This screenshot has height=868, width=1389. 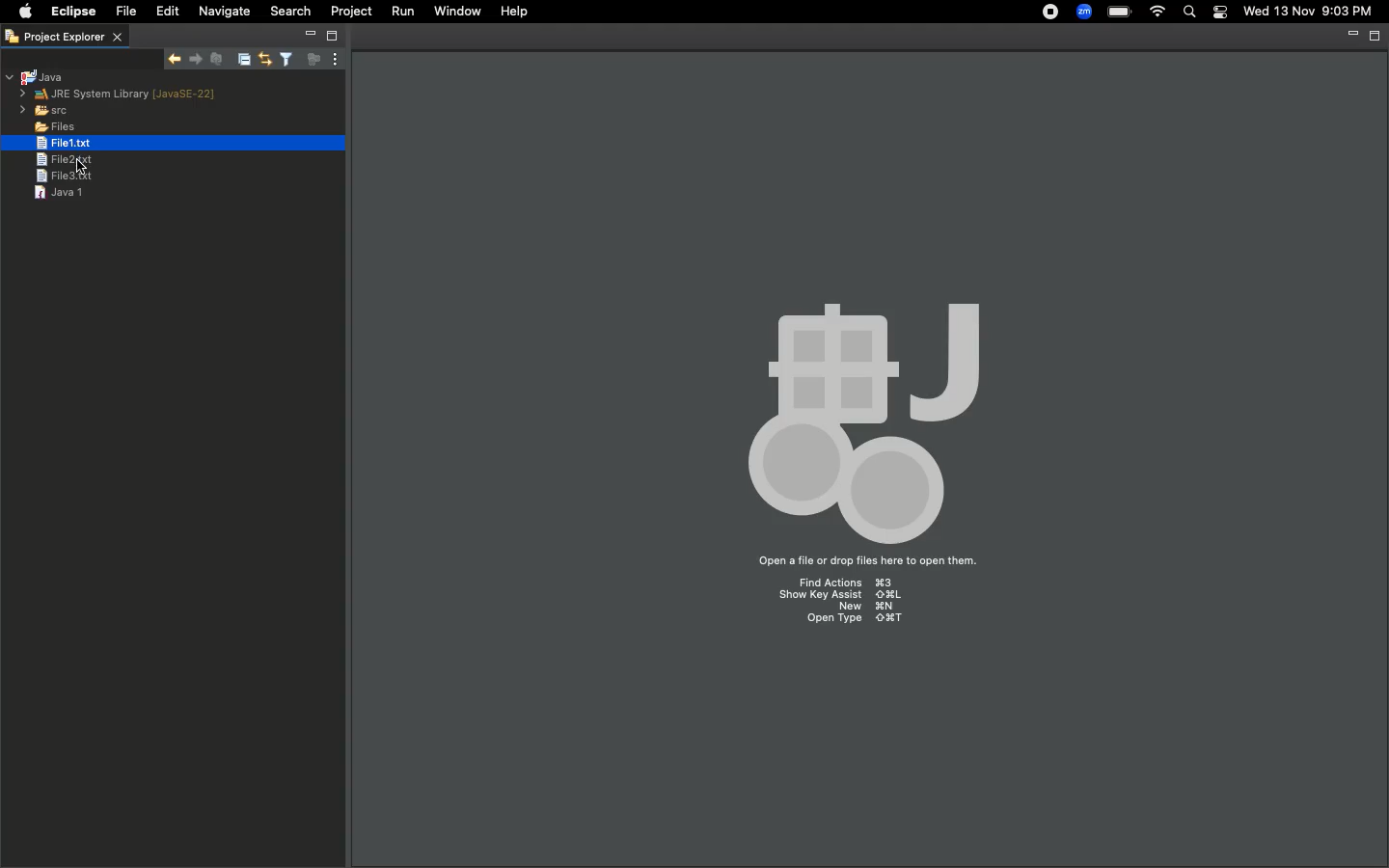 I want to click on Run, so click(x=401, y=12).